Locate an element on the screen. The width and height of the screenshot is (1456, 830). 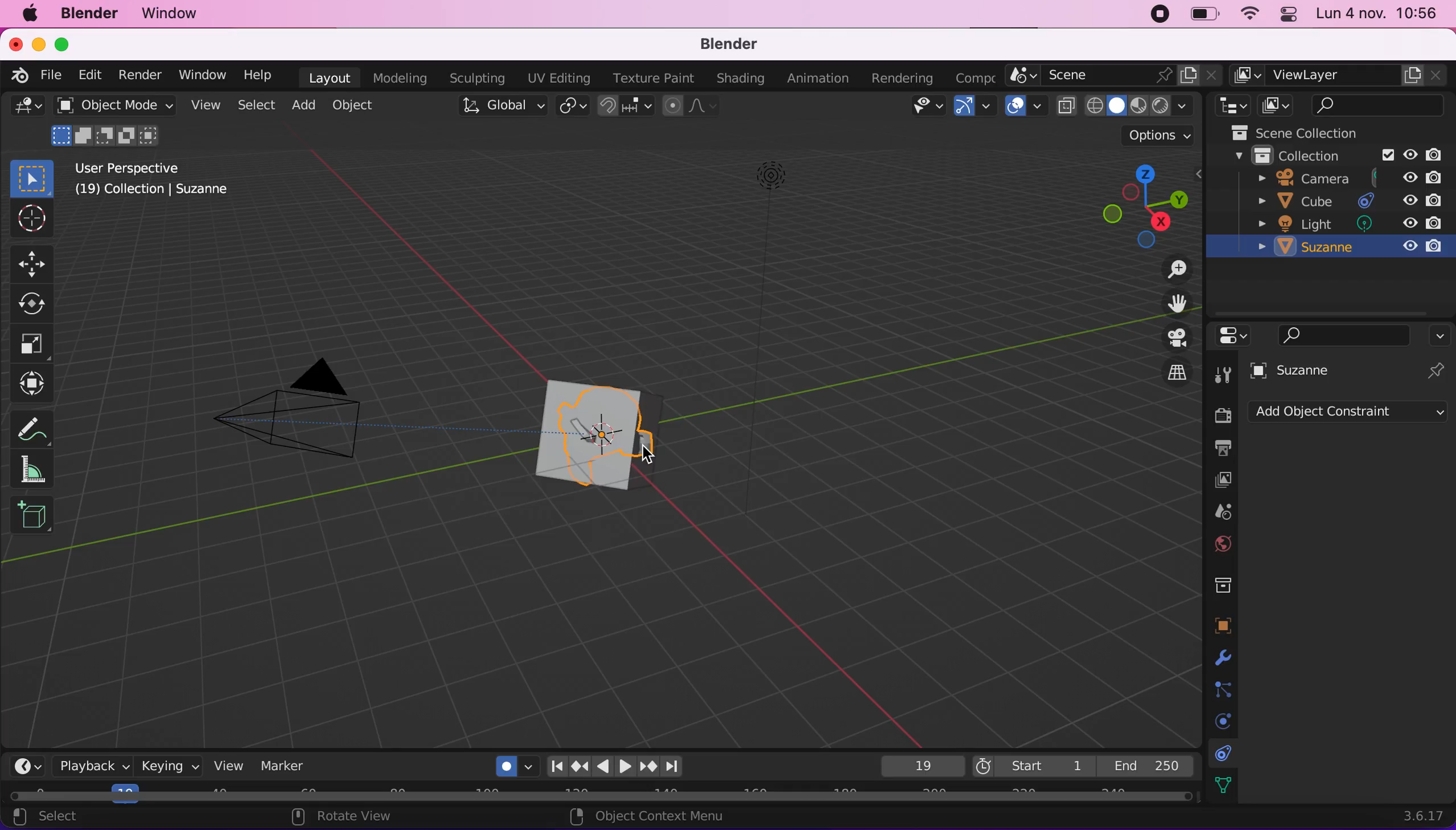
collection is located at coordinates (1343, 156).